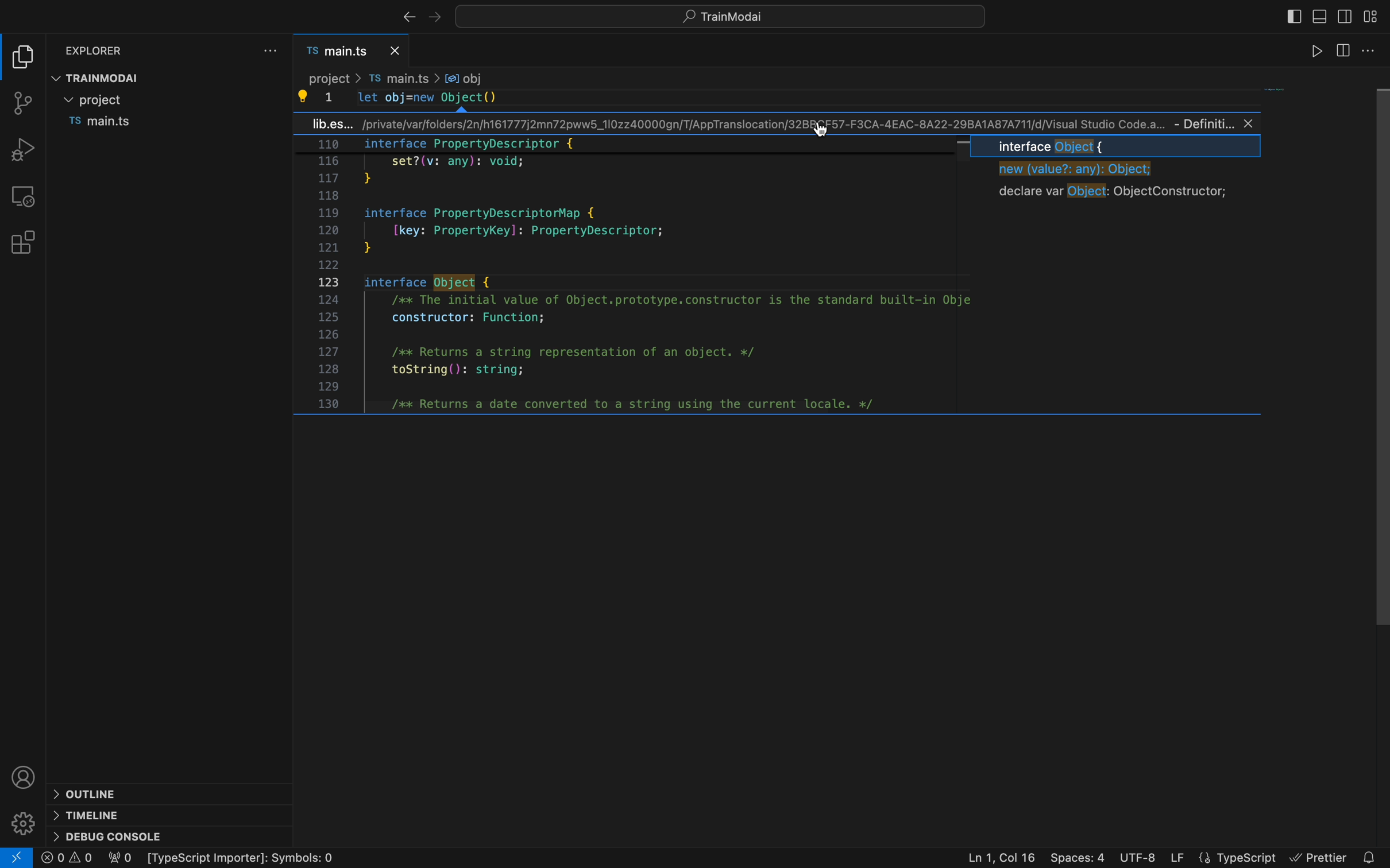 This screenshot has width=1390, height=868. Describe the element at coordinates (729, 15) in the screenshot. I see `quick open` at that location.